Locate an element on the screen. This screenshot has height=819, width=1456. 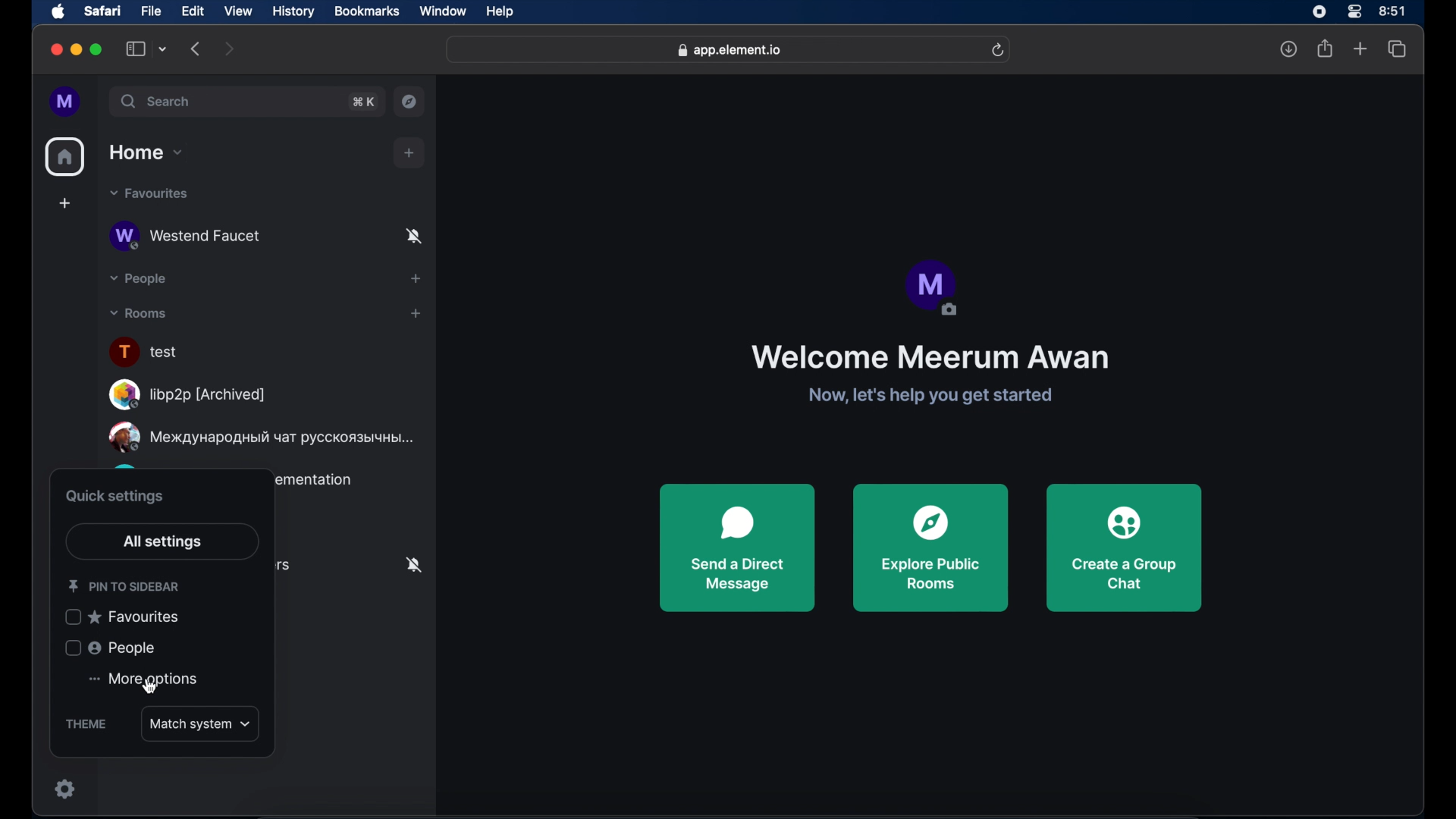
home dropdown is located at coordinates (146, 152).